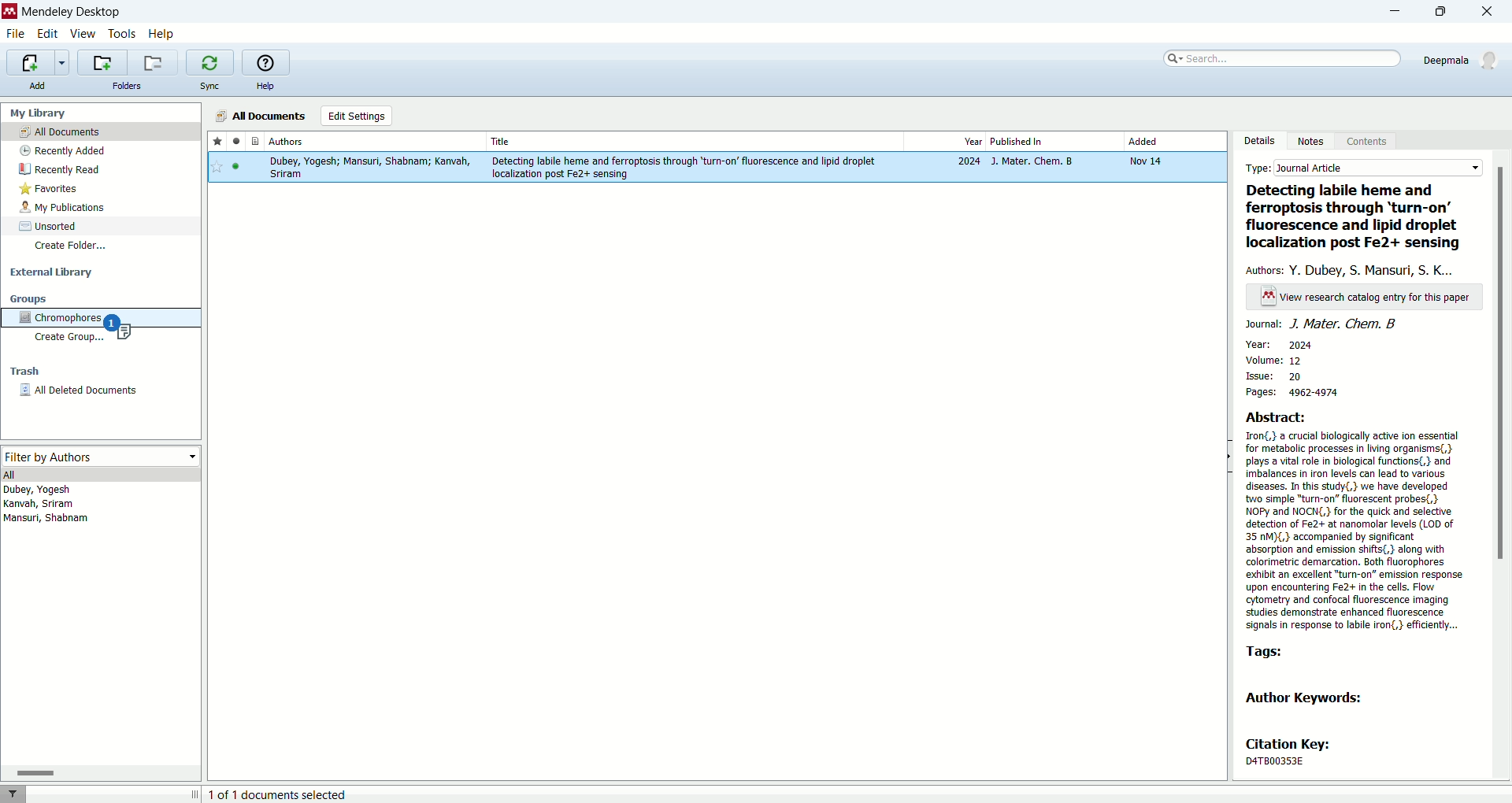 Image resolution: width=1512 pixels, height=803 pixels. What do you see at coordinates (943, 141) in the screenshot?
I see `year` at bounding box center [943, 141].